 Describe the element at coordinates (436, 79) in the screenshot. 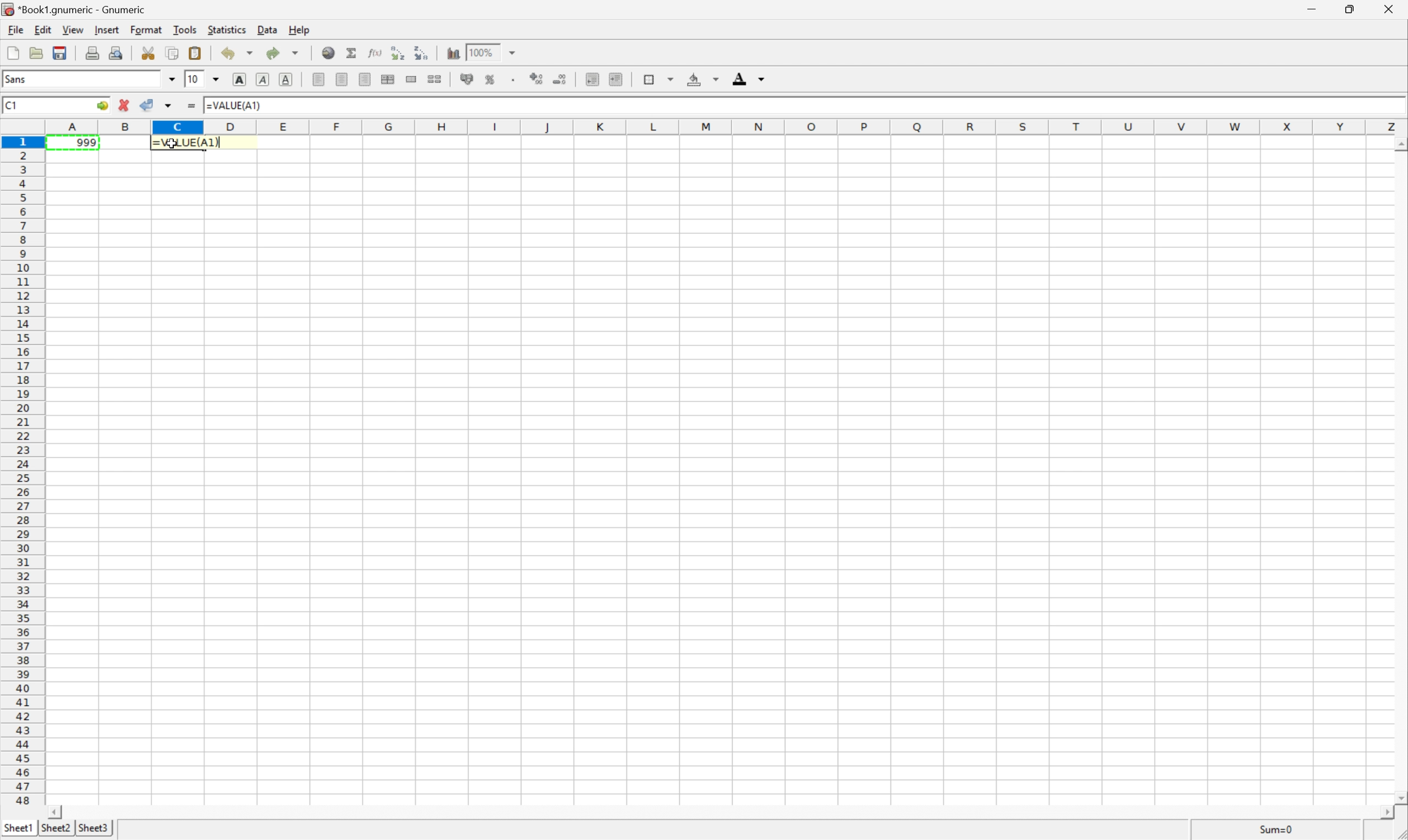

I see `split merged ranges of cells` at that location.